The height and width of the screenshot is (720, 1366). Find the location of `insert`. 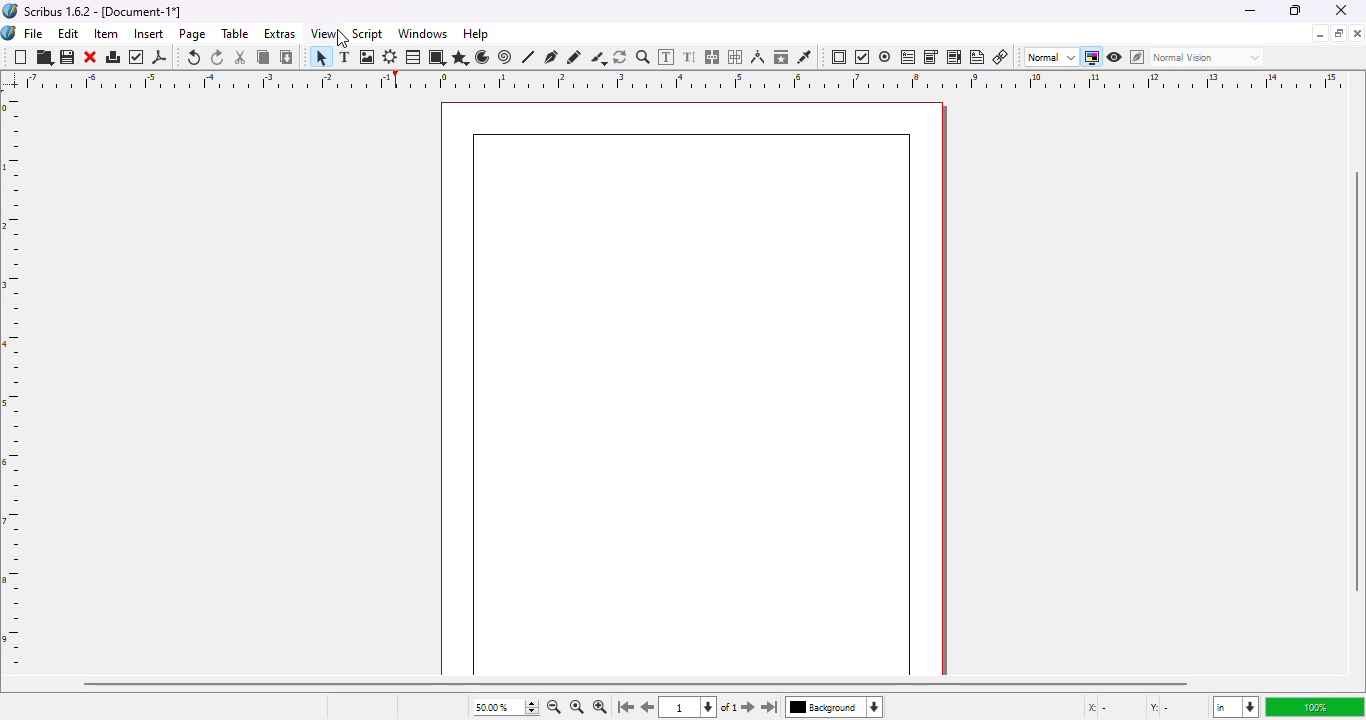

insert is located at coordinates (149, 33).